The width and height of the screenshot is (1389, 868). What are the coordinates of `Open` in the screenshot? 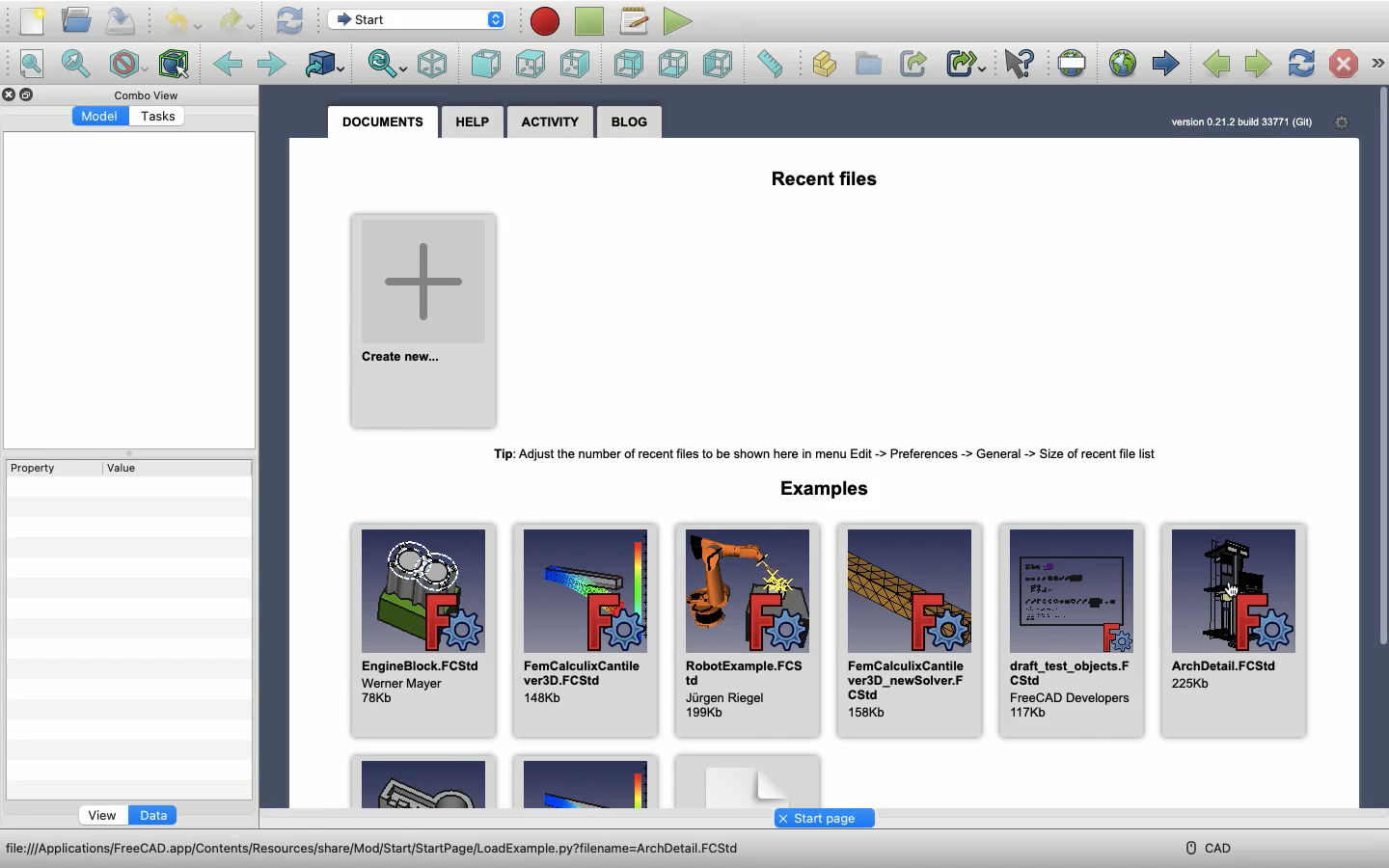 It's located at (77, 19).